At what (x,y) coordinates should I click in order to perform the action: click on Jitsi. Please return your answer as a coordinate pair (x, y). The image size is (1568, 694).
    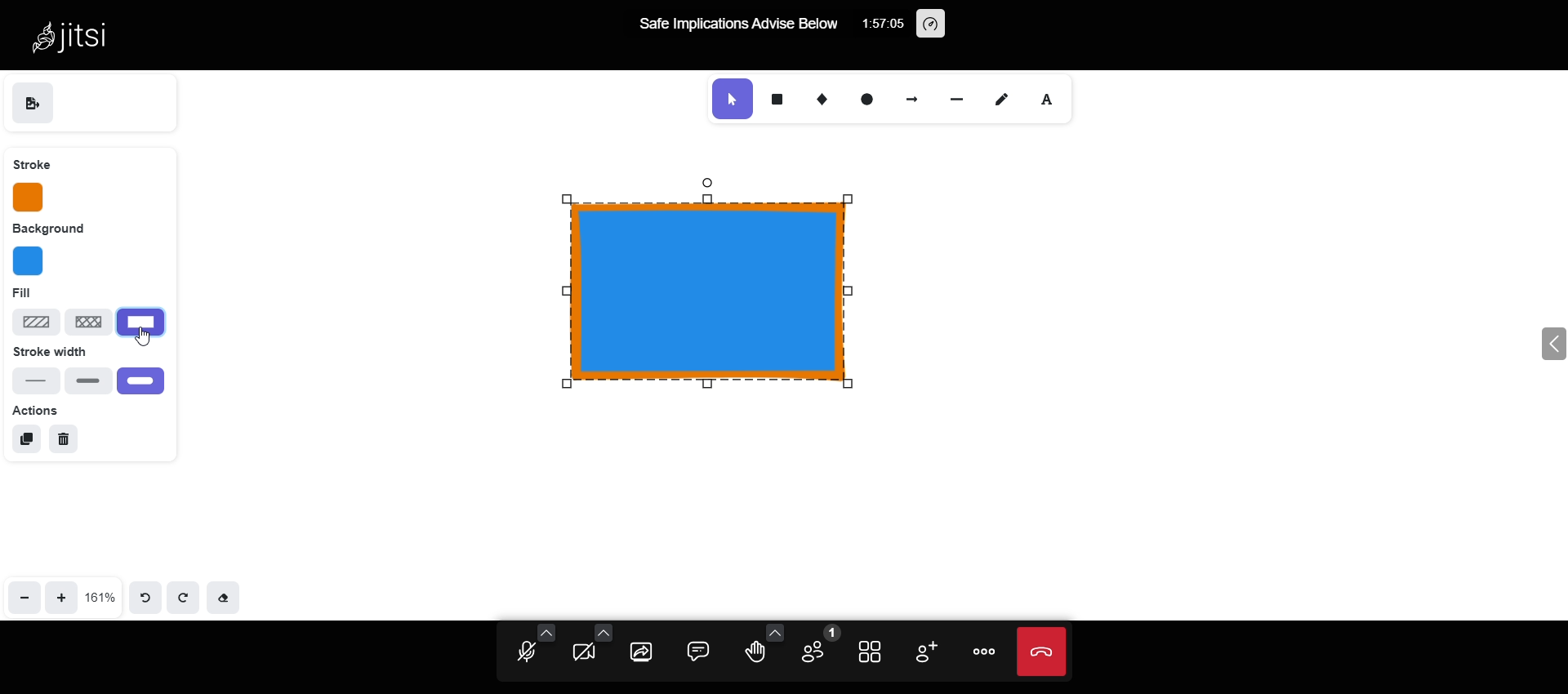
    Looking at the image, I should click on (88, 34).